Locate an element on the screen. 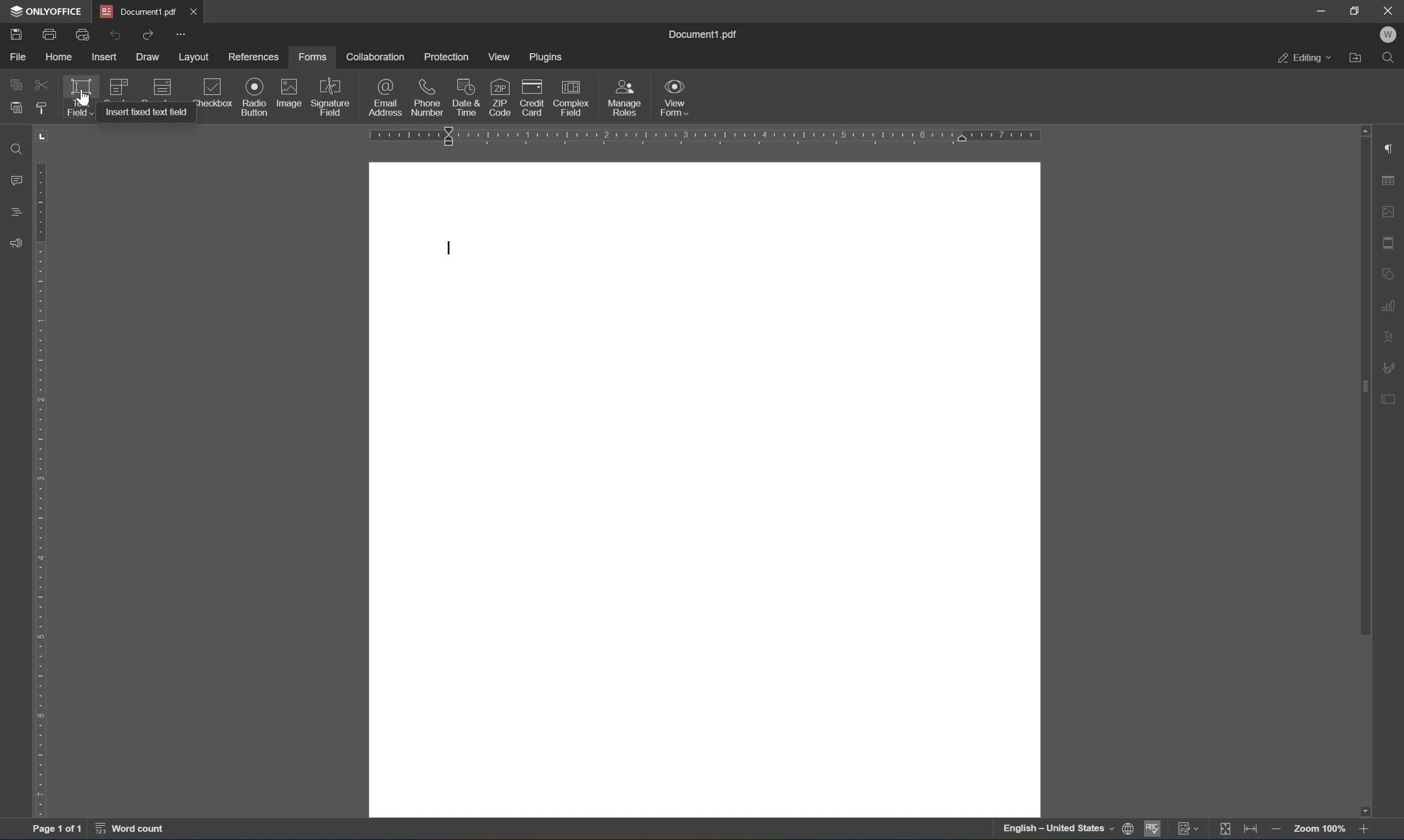  zoom 100% is located at coordinates (1320, 829).